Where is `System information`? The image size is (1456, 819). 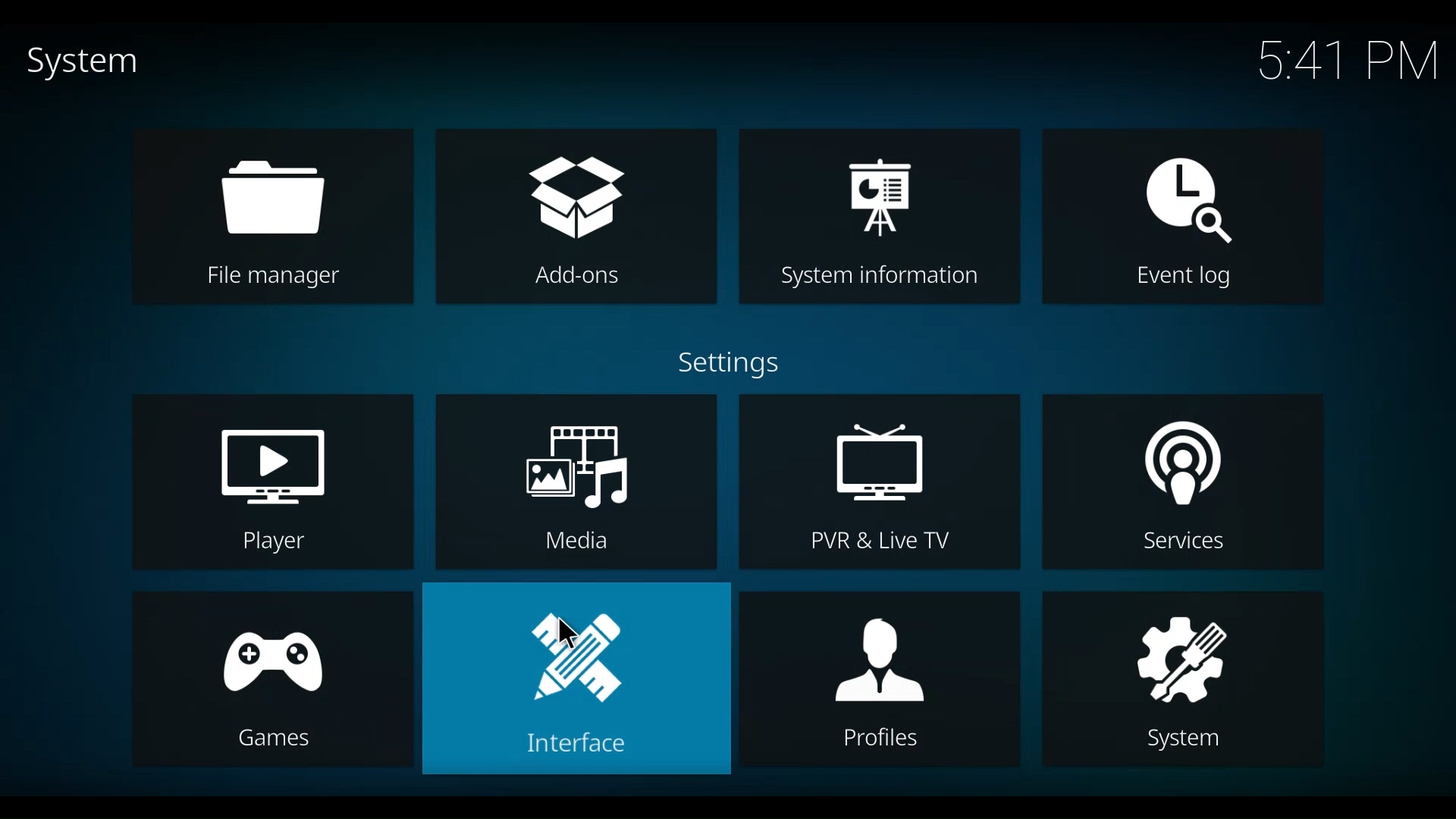 System information is located at coordinates (877, 215).